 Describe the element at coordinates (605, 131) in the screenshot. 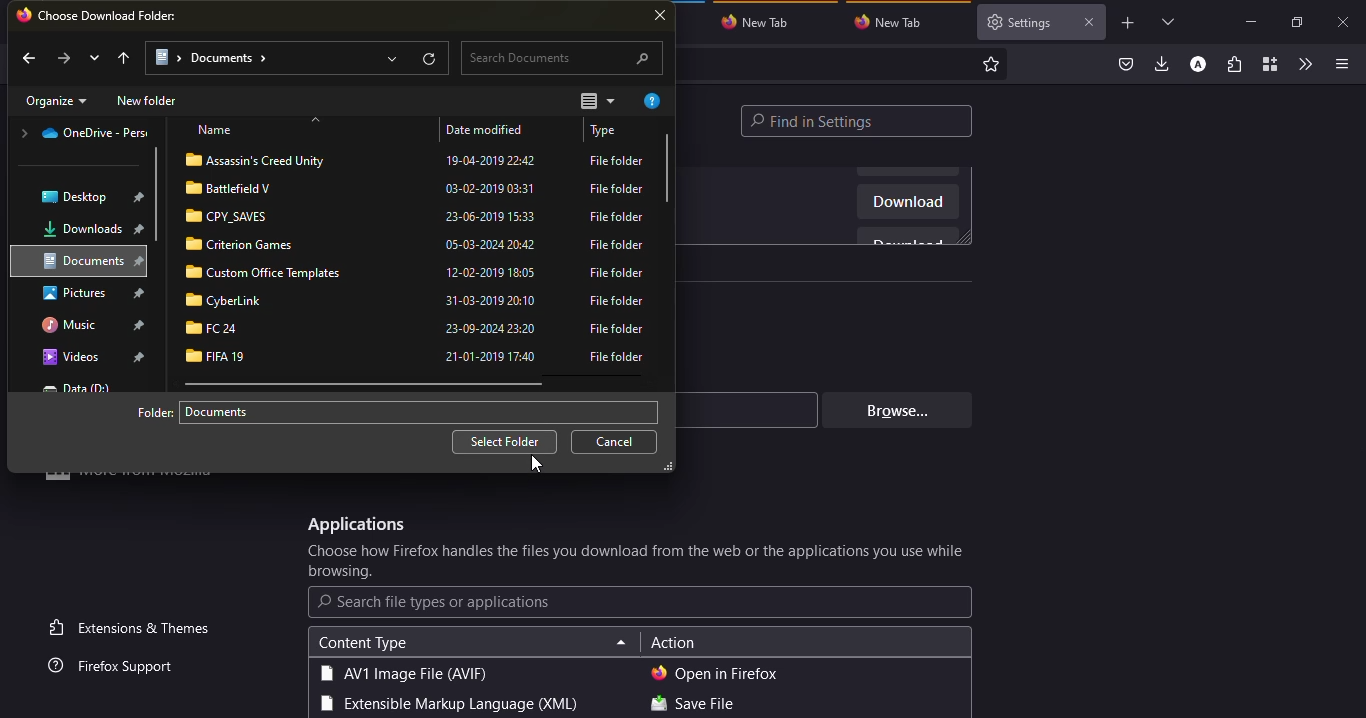

I see `type` at that location.